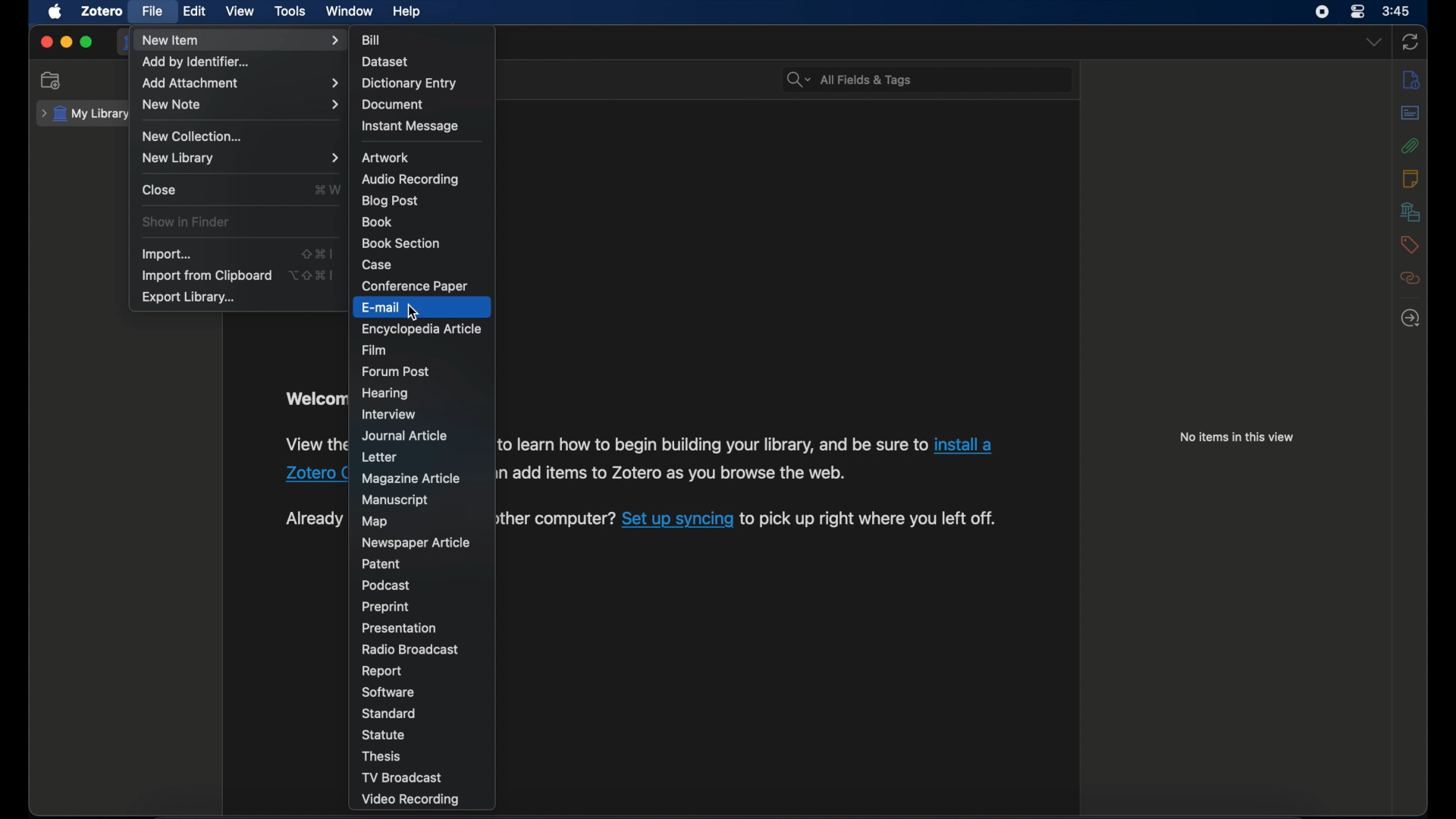 The height and width of the screenshot is (819, 1456). Describe the element at coordinates (400, 628) in the screenshot. I see `presentation` at that location.